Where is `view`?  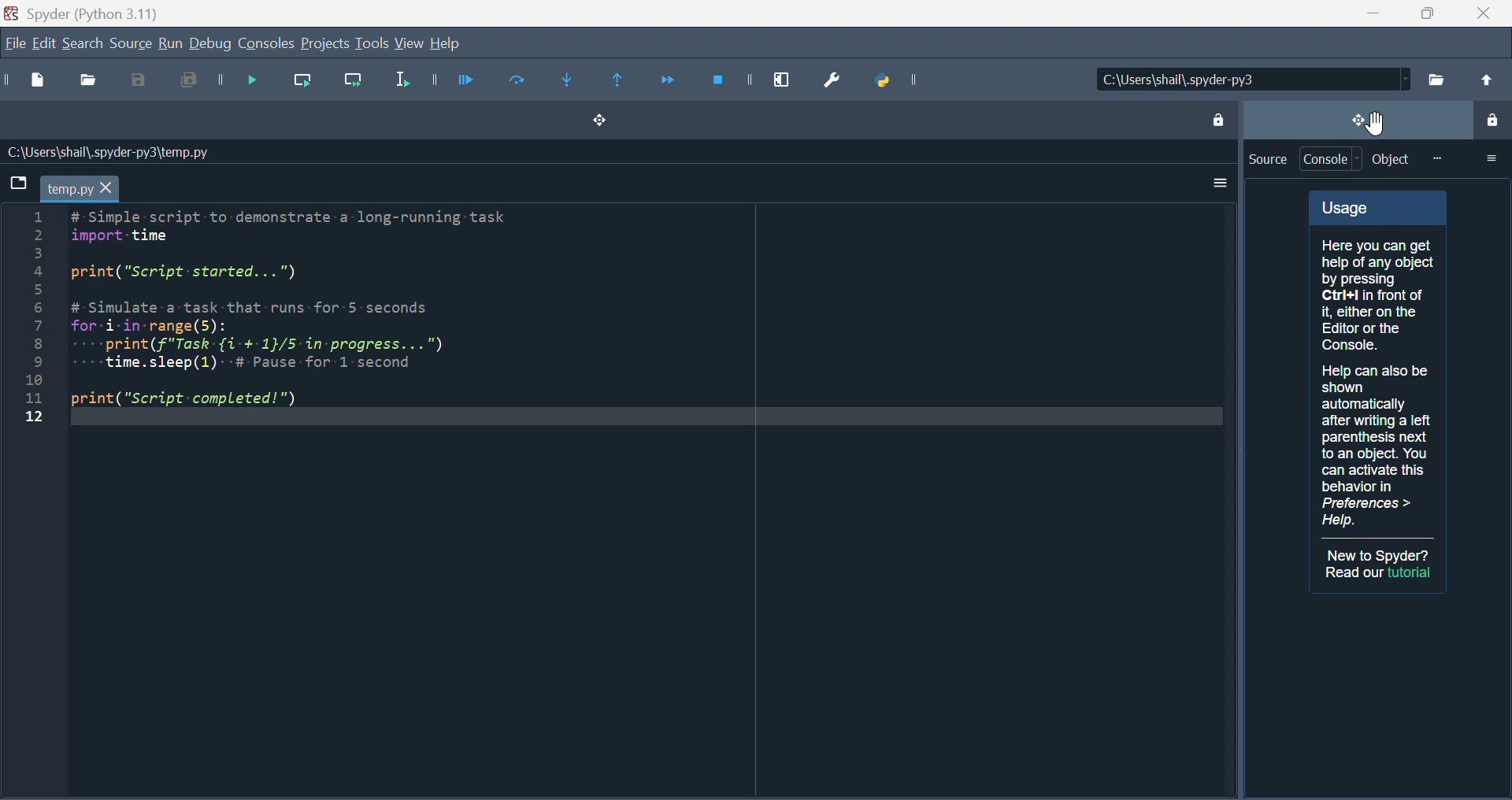
view is located at coordinates (410, 44).